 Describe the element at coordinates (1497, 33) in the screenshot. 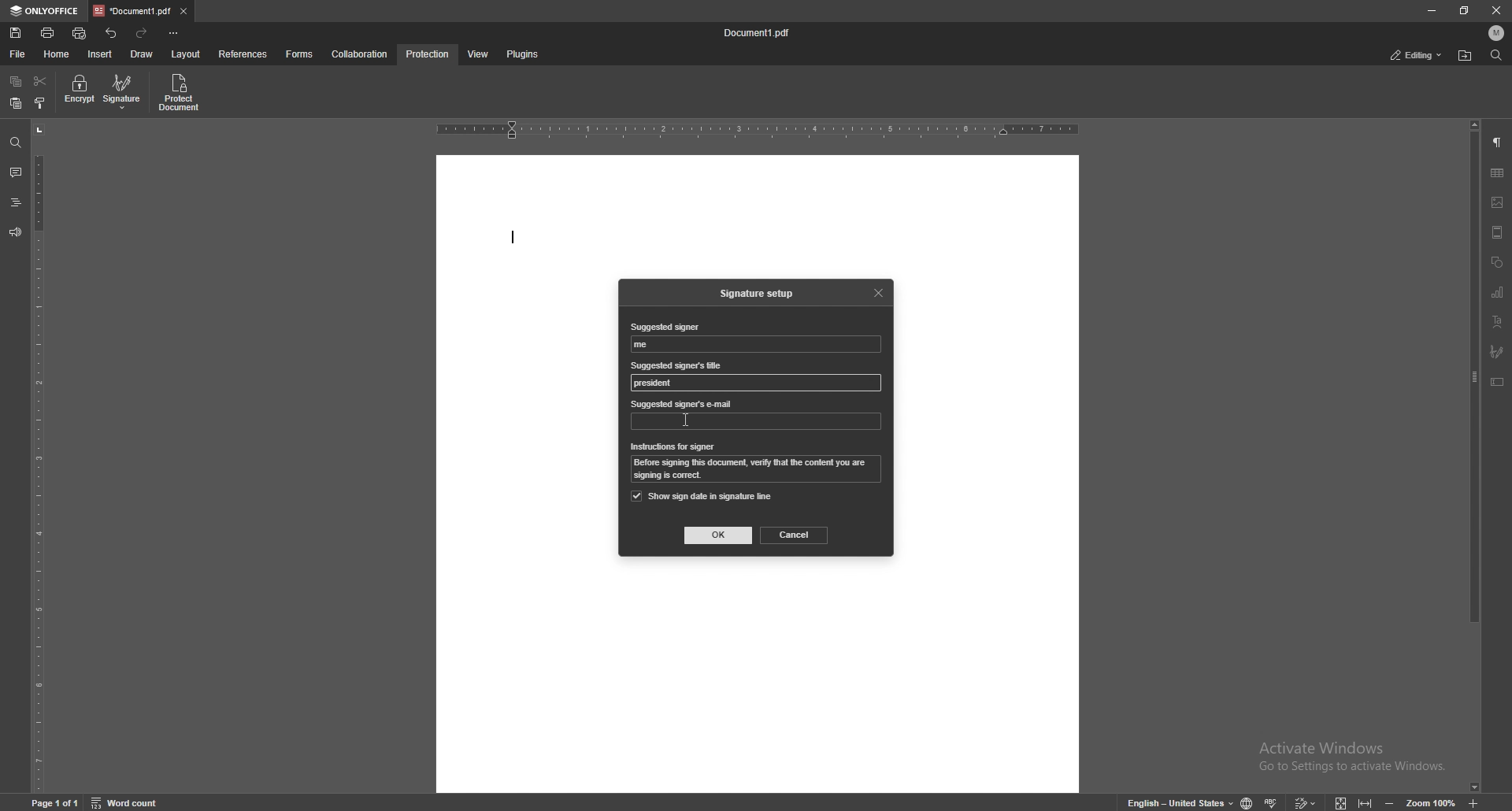

I see `profile` at that location.